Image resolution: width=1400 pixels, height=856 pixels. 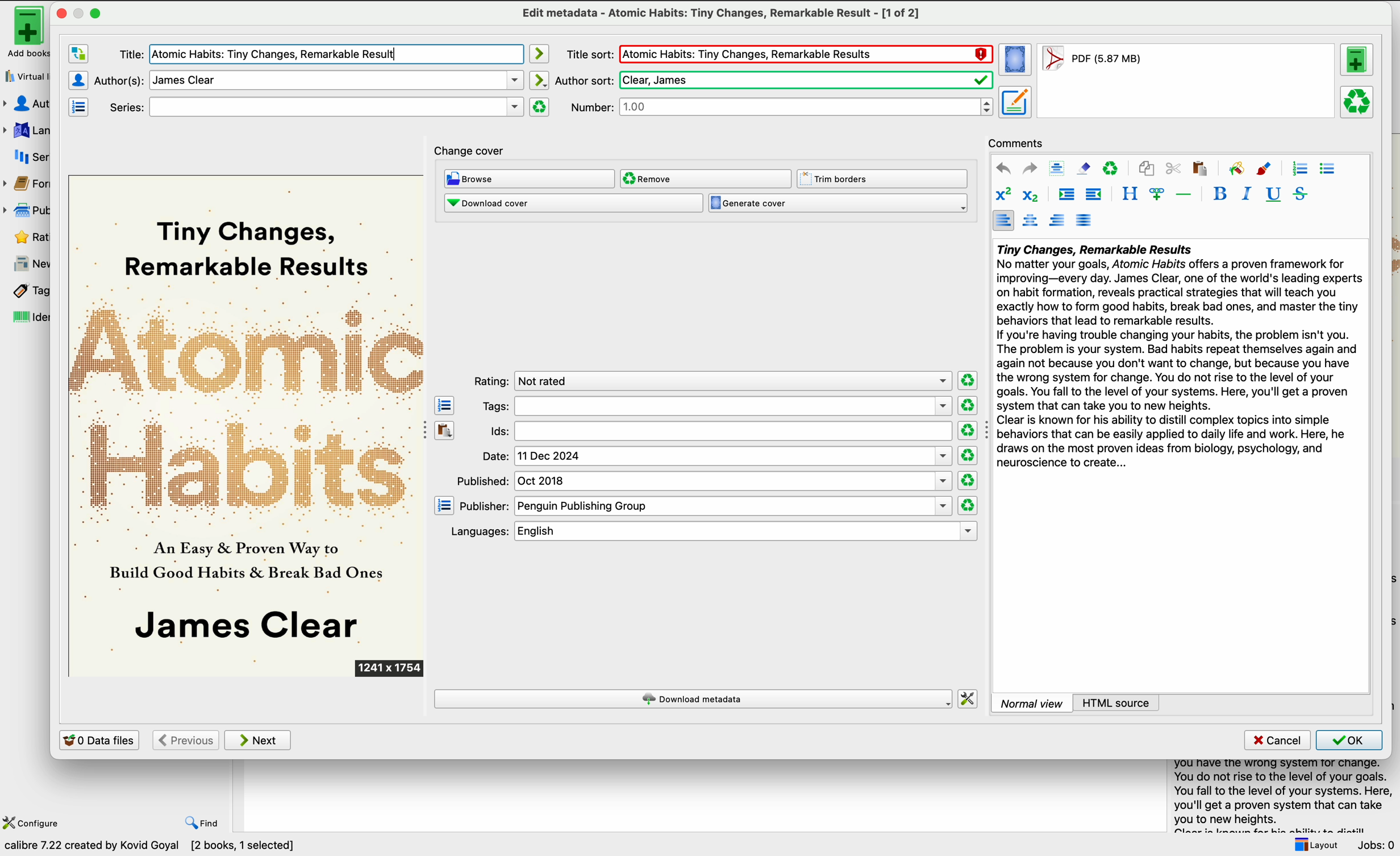 What do you see at coordinates (1003, 220) in the screenshot?
I see `align left` at bounding box center [1003, 220].